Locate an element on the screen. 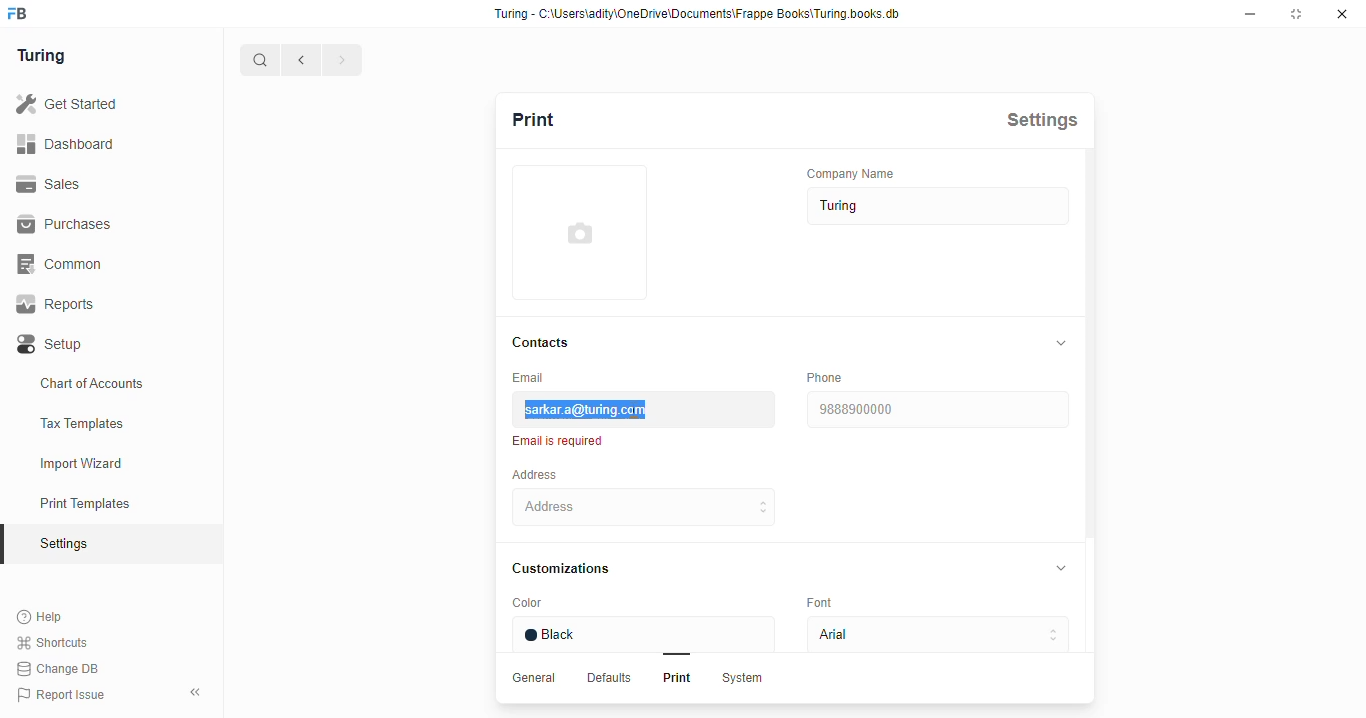 The width and height of the screenshot is (1366, 718). Settings is located at coordinates (1049, 119).